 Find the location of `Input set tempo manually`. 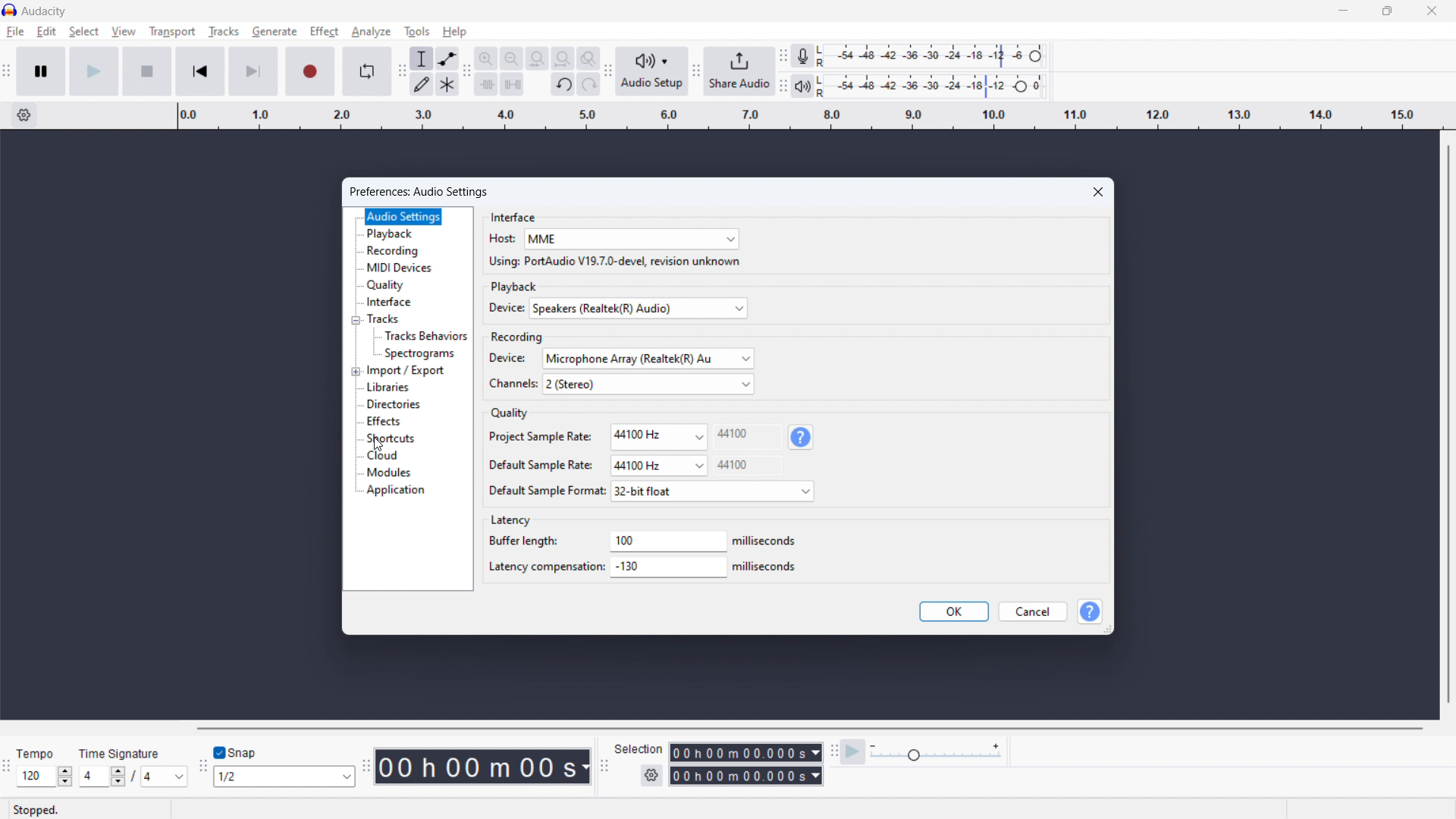

Input set tempo manually is located at coordinates (36, 777).